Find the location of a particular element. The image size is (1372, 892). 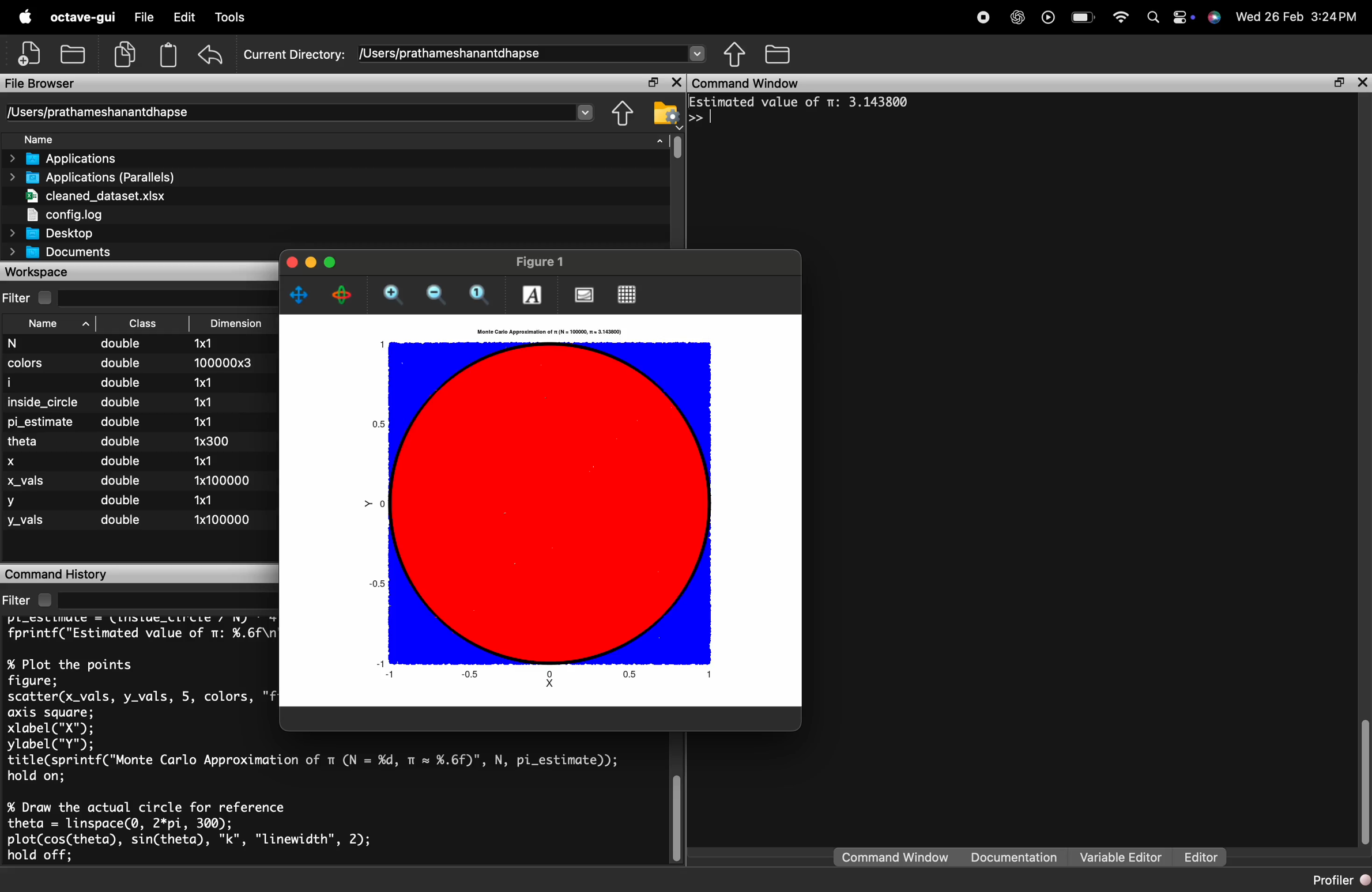

Desktop is located at coordinates (52, 233).